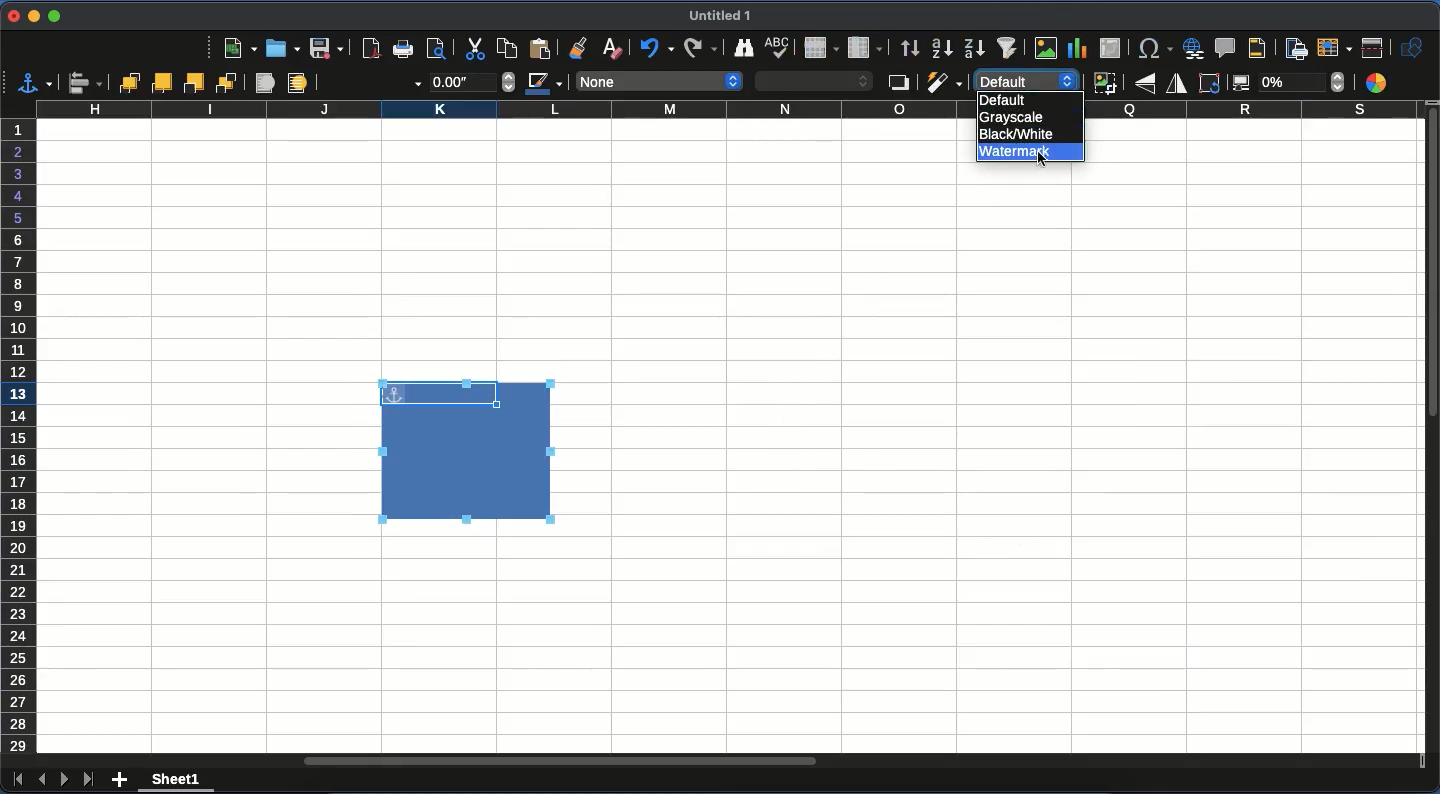 This screenshot has height=794, width=1440. I want to click on hyperlink, so click(1193, 48).